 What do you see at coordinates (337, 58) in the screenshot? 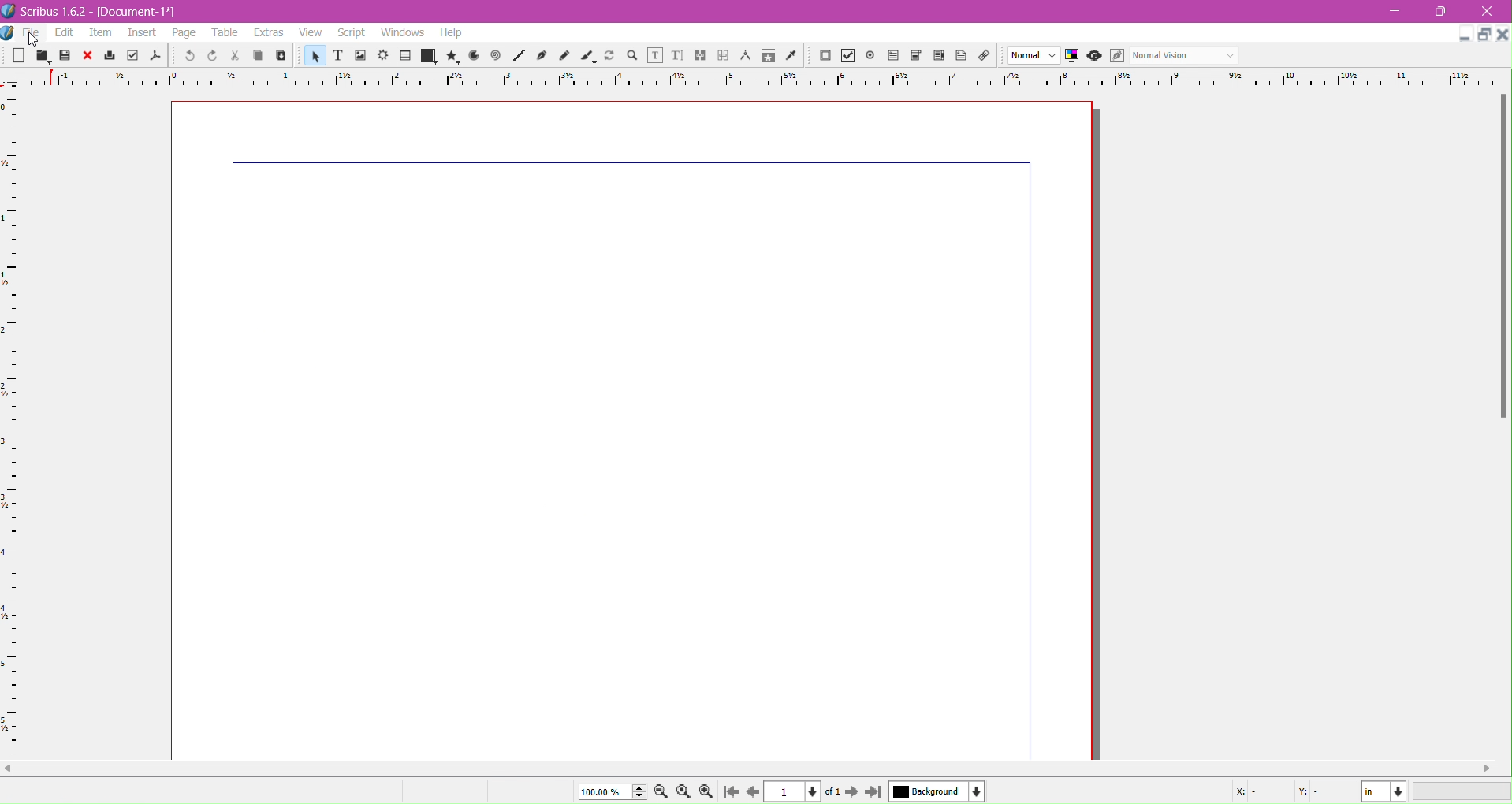
I see `text frame` at bounding box center [337, 58].